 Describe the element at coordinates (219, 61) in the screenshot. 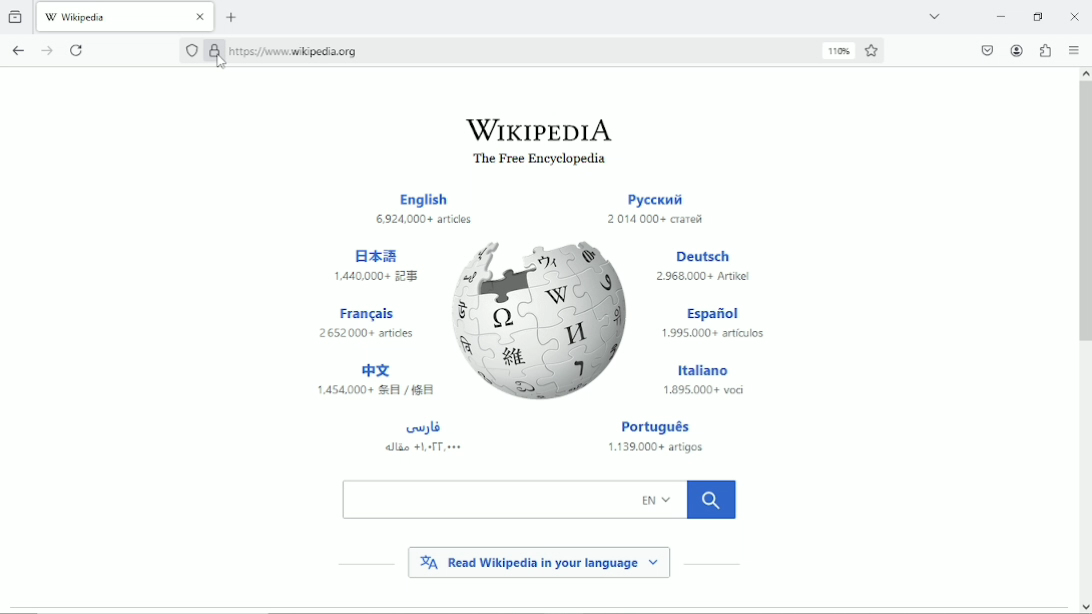

I see `cursor` at that location.